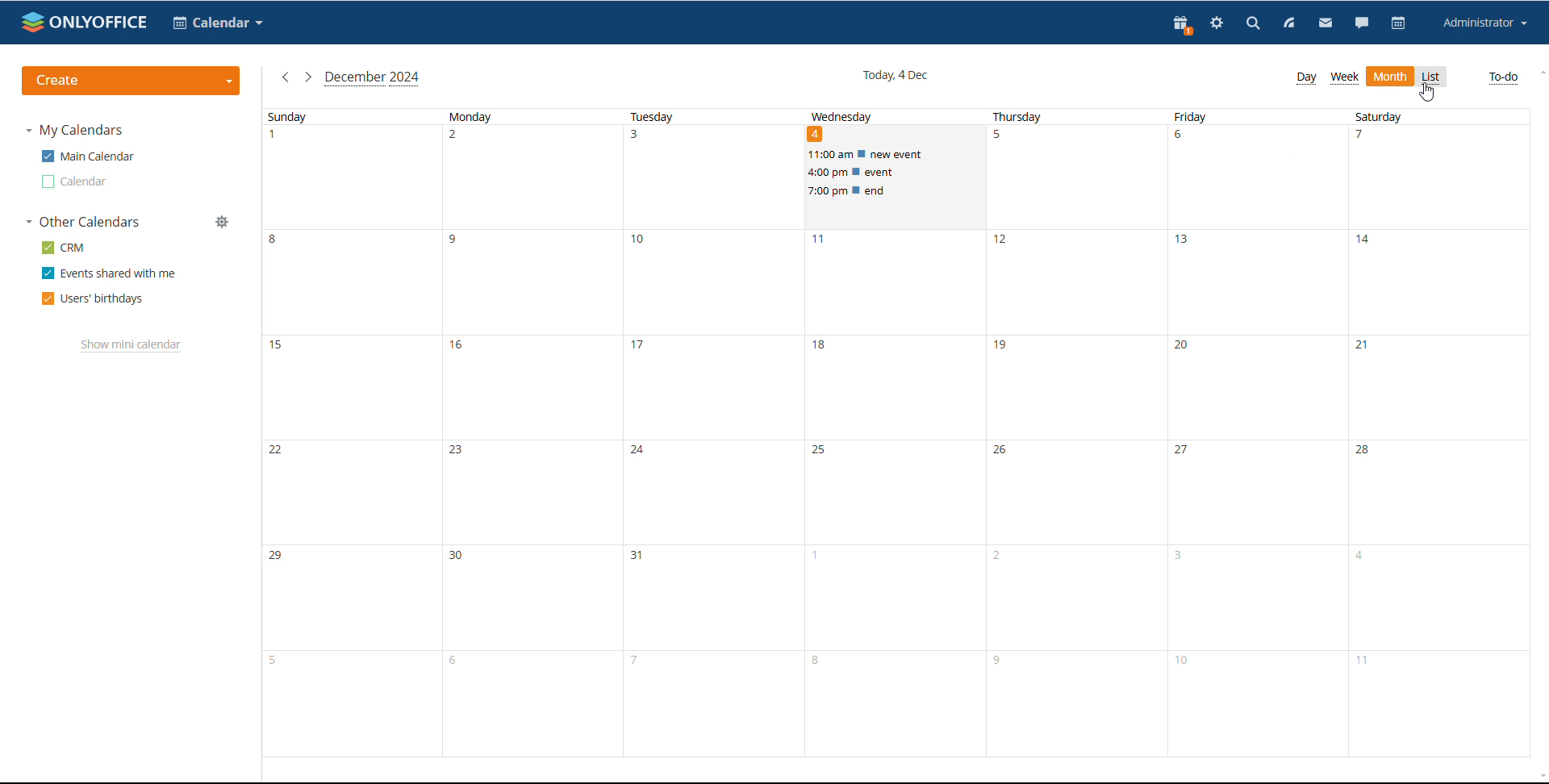 The width and height of the screenshot is (1549, 784). Describe the element at coordinates (893, 74) in the screenshot. I see `current date` at that location.